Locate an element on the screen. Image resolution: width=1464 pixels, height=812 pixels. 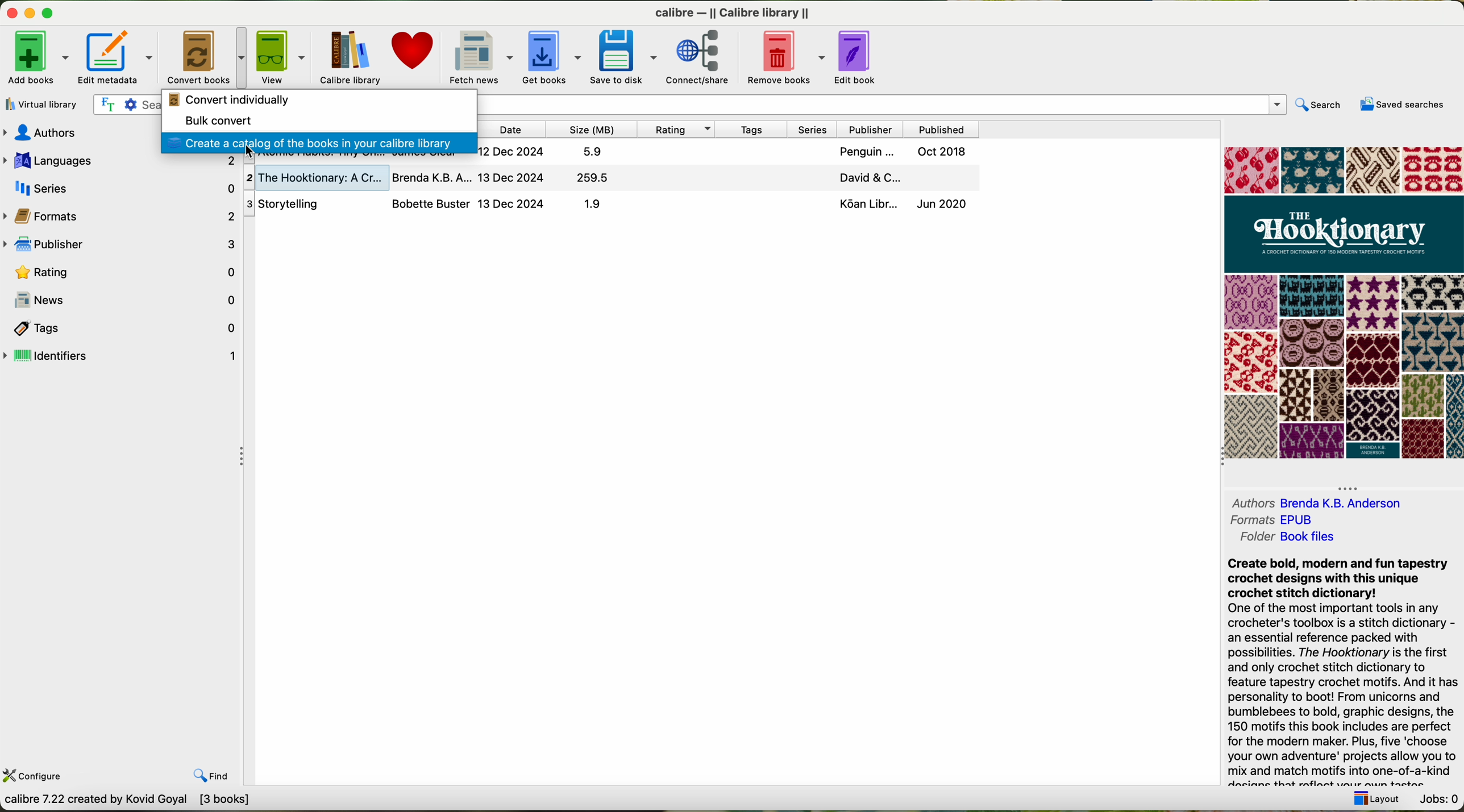
Book File is located at coordinates (1338, 538).